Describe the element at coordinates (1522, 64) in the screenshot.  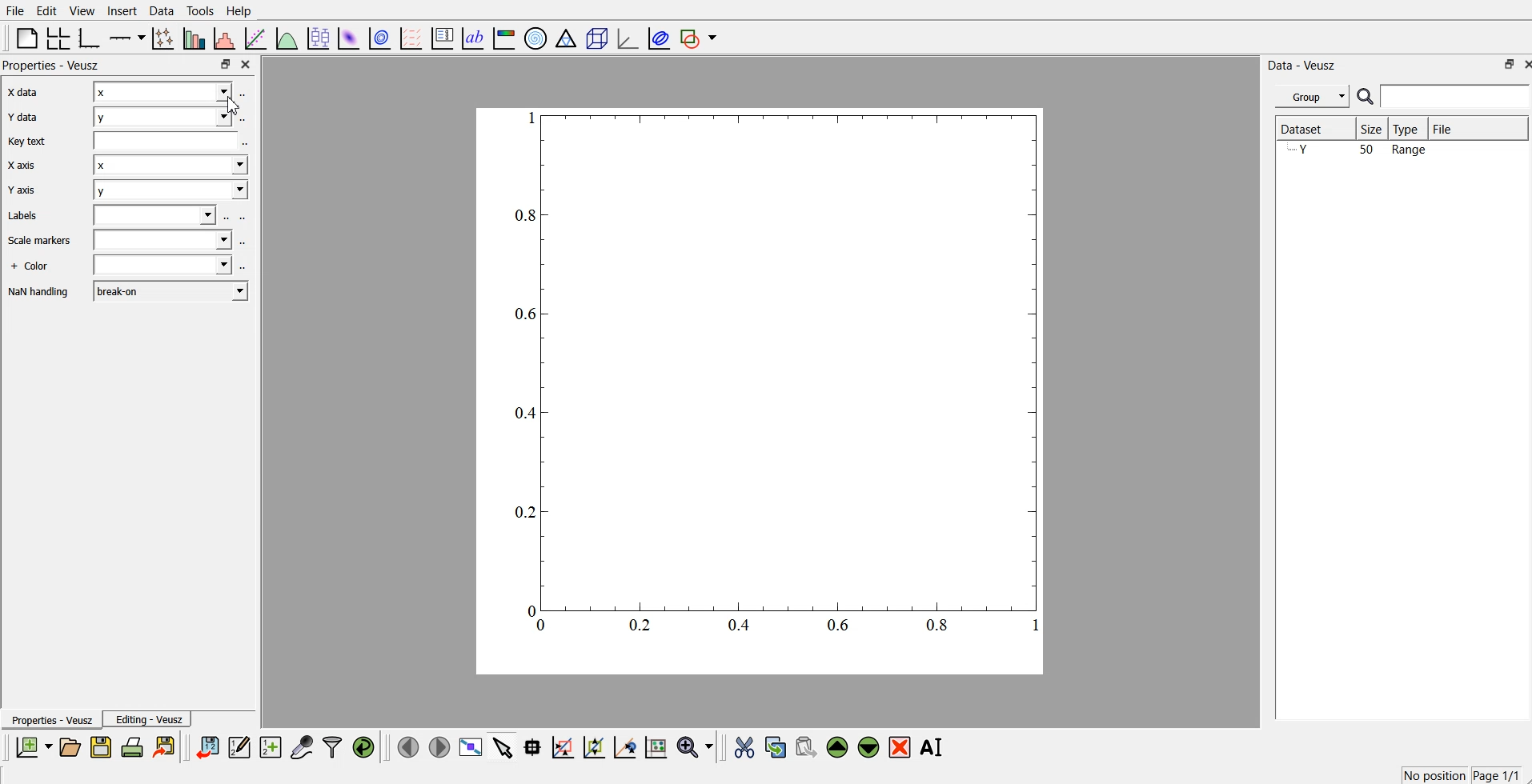
I see `close` at that location.